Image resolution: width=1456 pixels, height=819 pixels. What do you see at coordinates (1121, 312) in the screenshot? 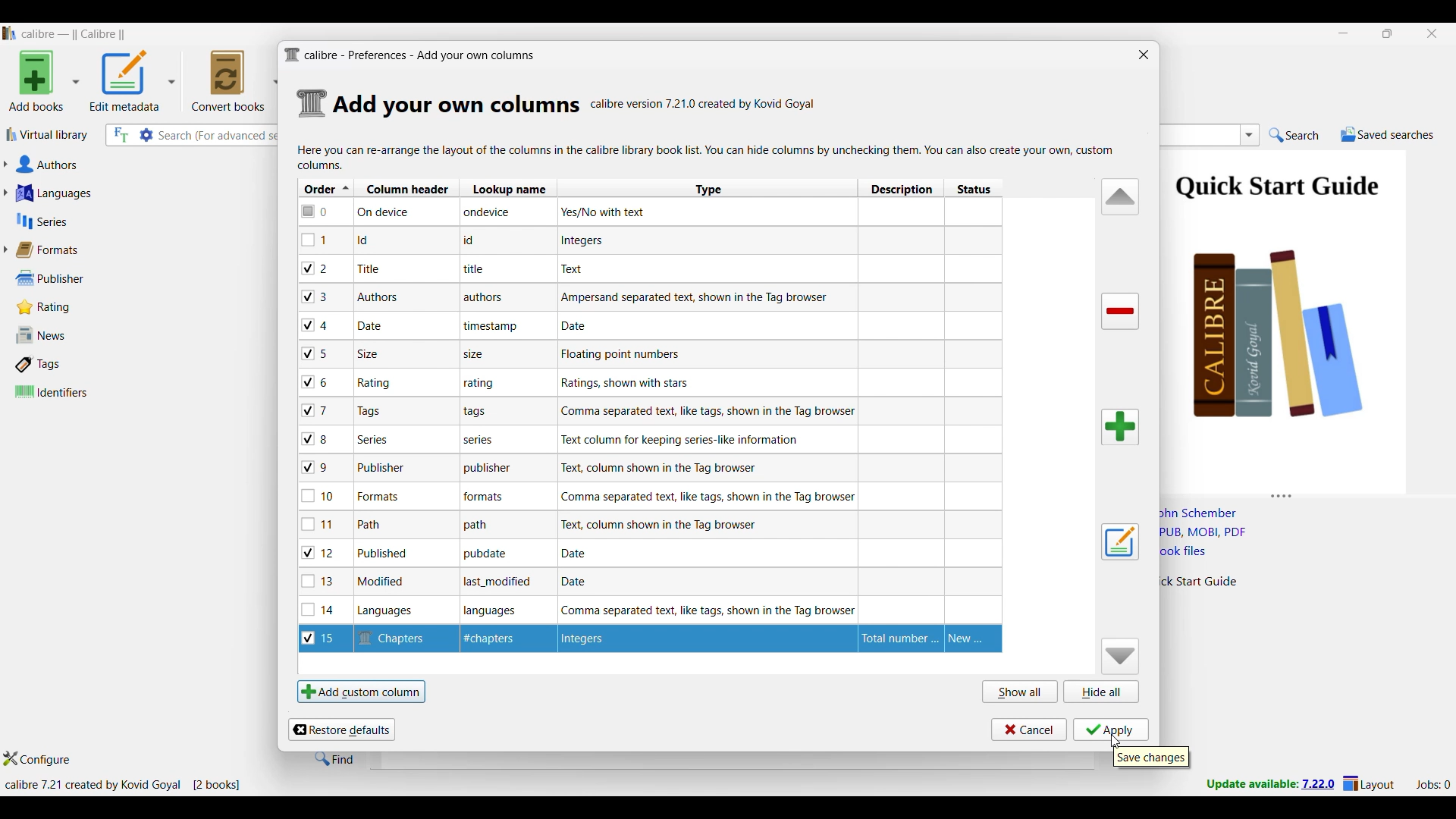
I see `Delete column` at bounding box center [1121, 312].